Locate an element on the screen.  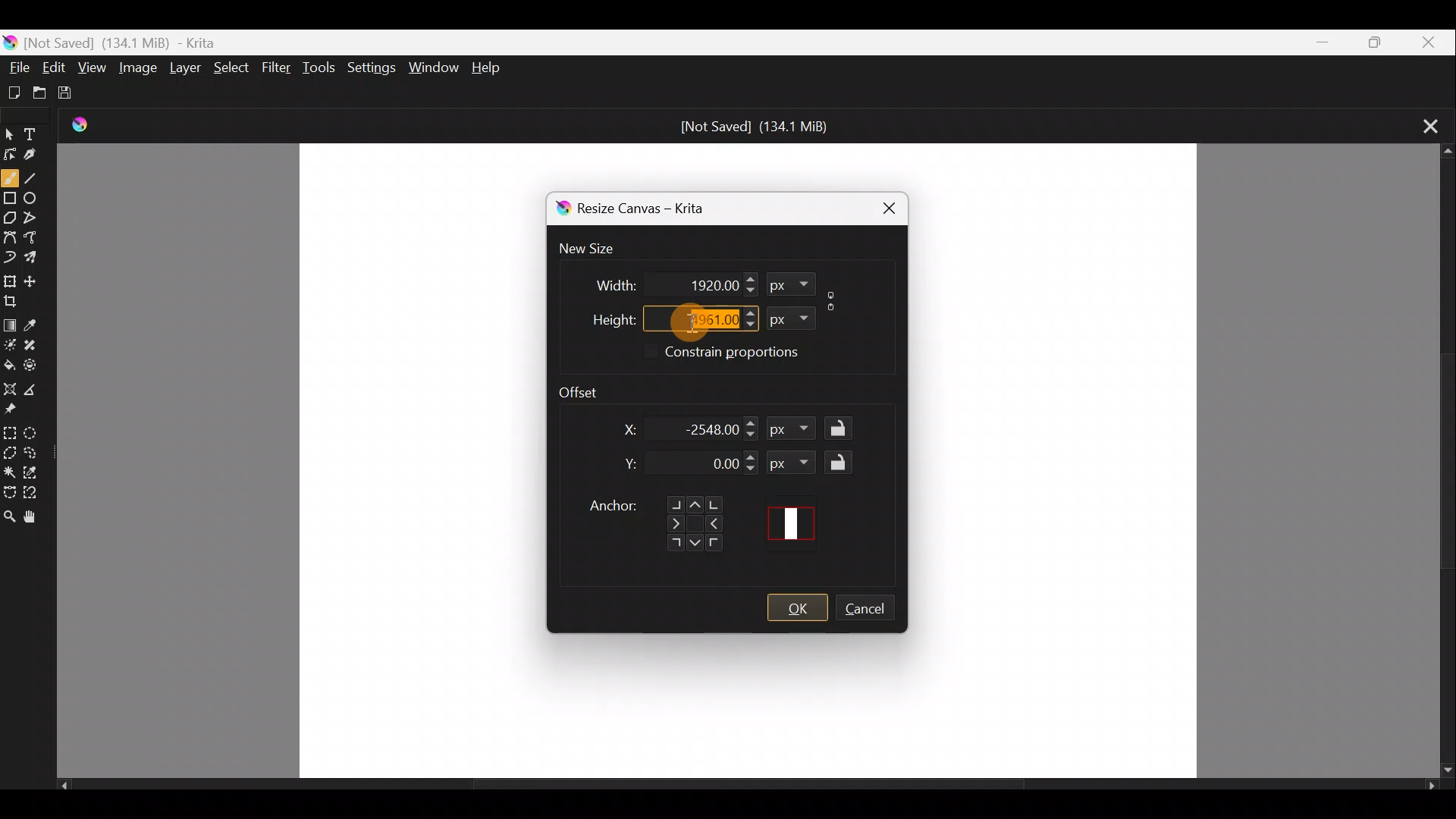
Format is located at coordinates (795, 431).